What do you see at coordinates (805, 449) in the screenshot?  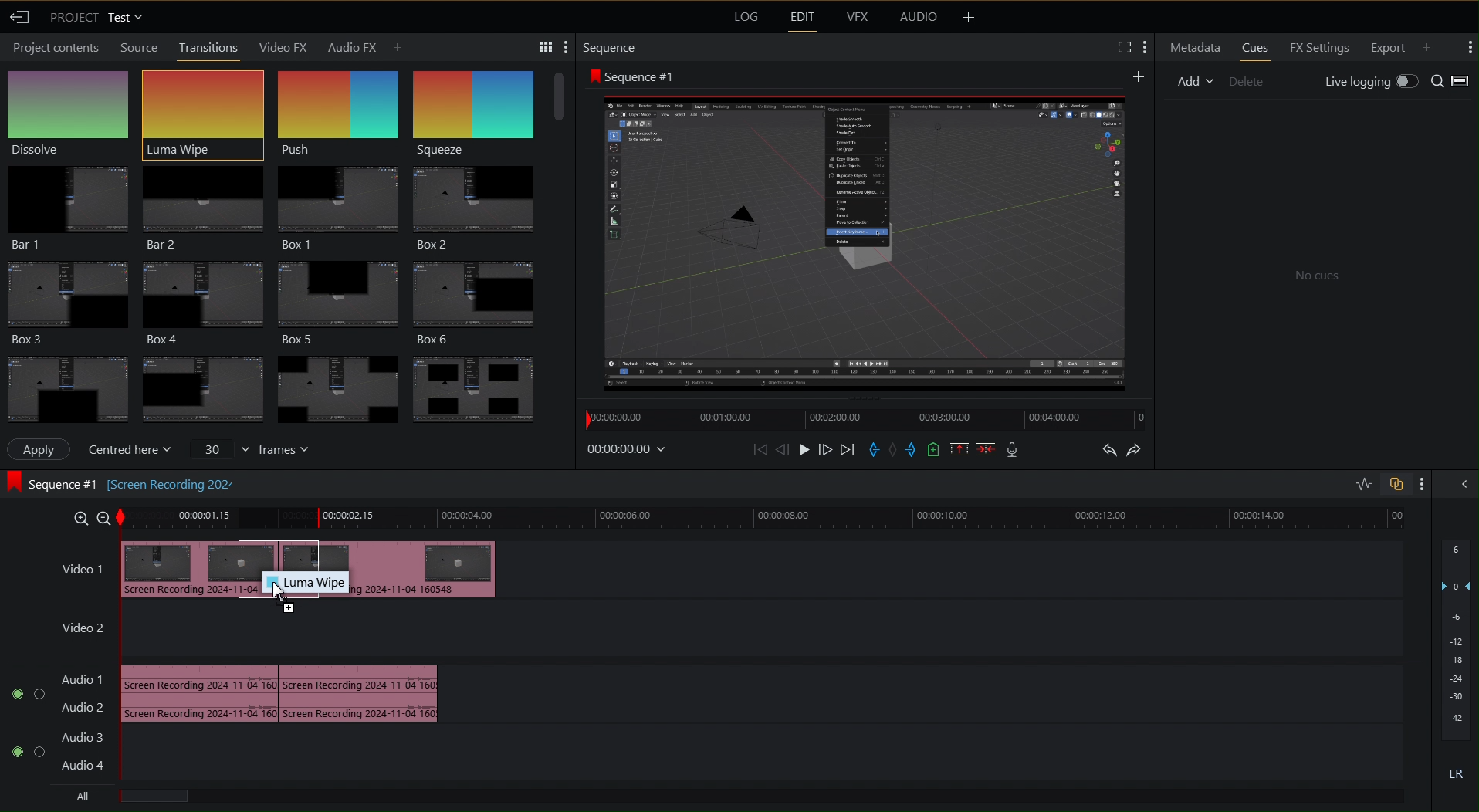 I see `Play` at bounding box center [805, 449].